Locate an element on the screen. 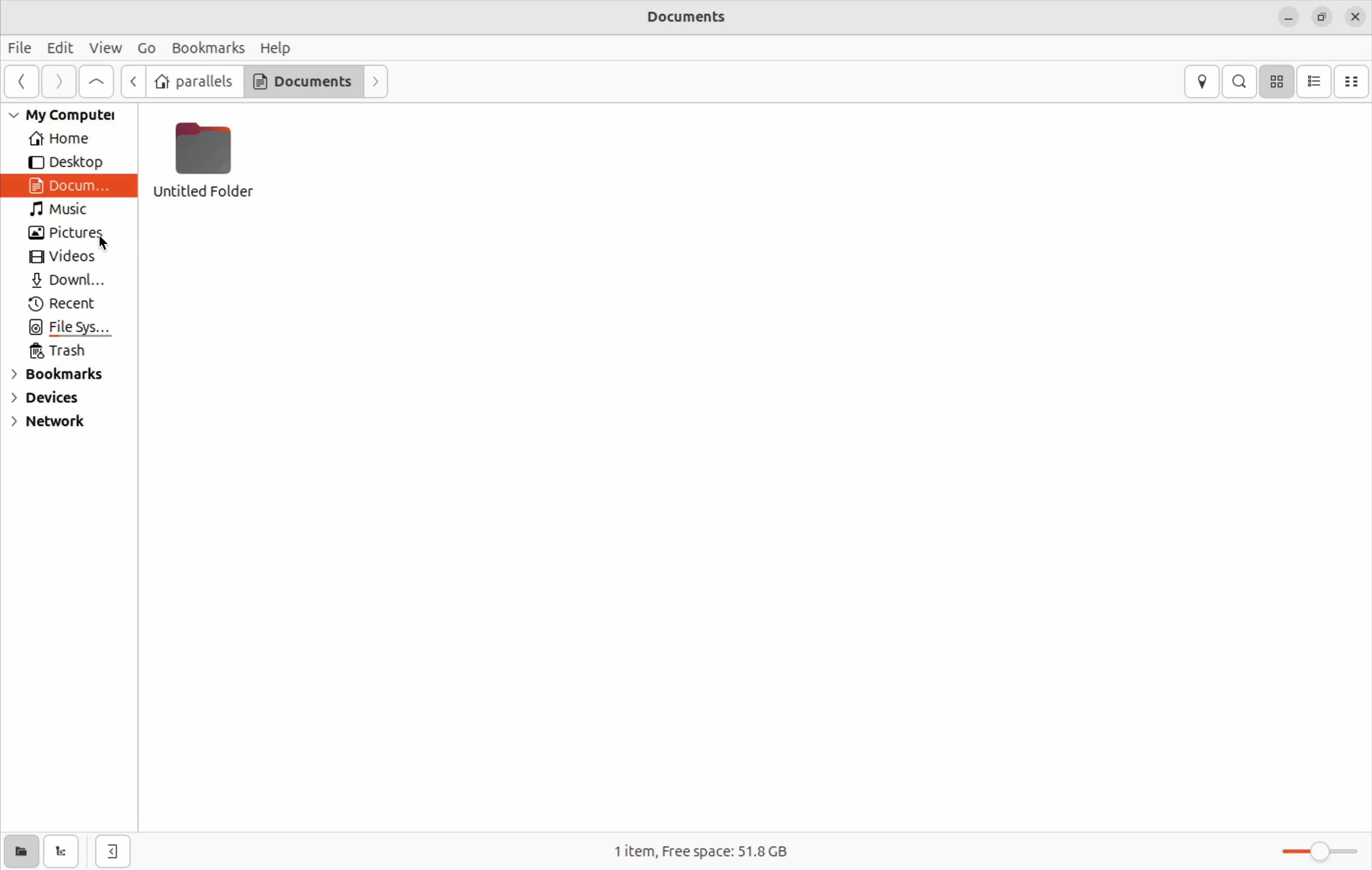  go up is located at coordinates (98, 80).